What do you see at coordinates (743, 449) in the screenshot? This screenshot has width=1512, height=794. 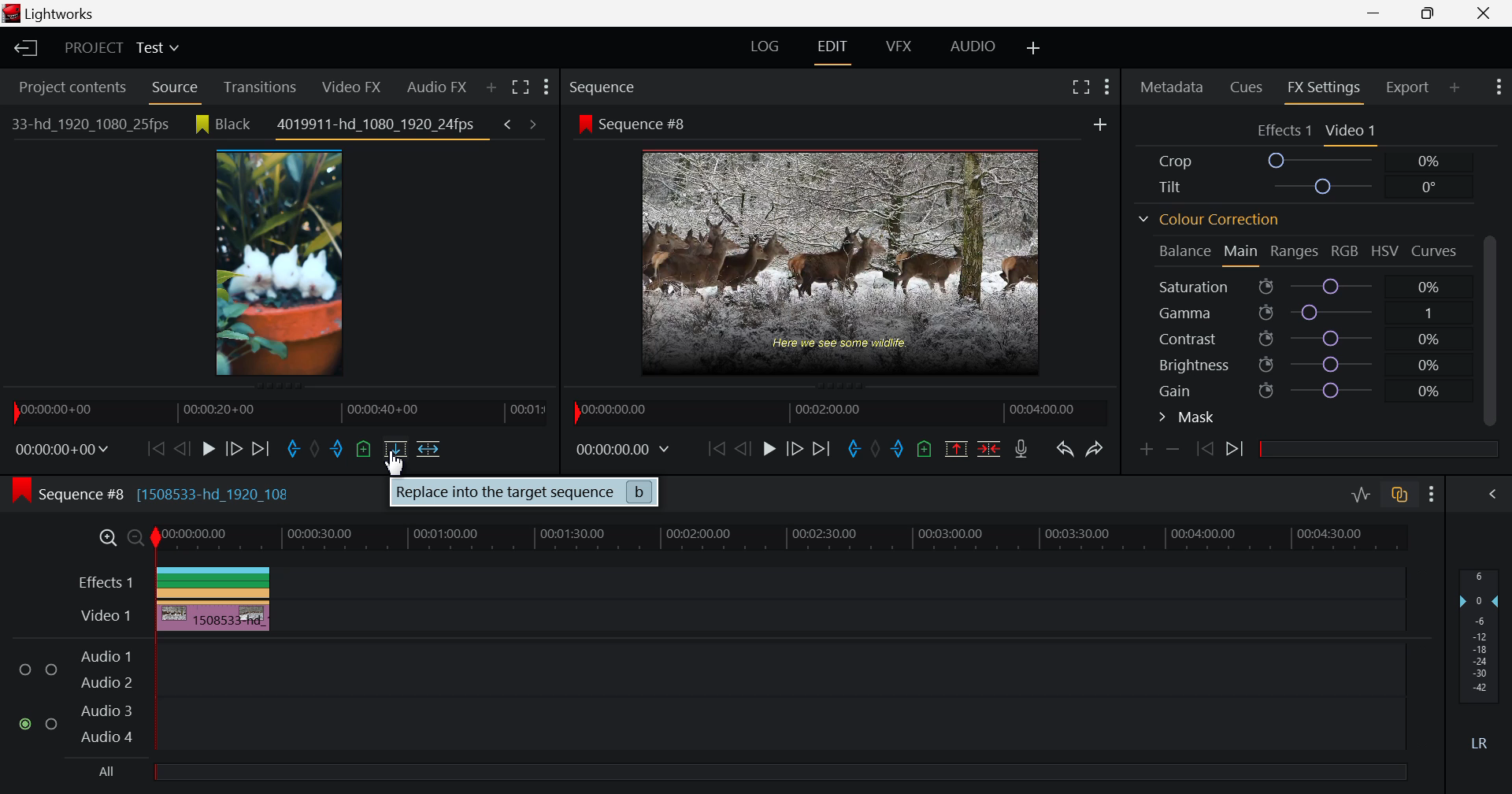 I see `Go Back` at bounding box center [743, 449].